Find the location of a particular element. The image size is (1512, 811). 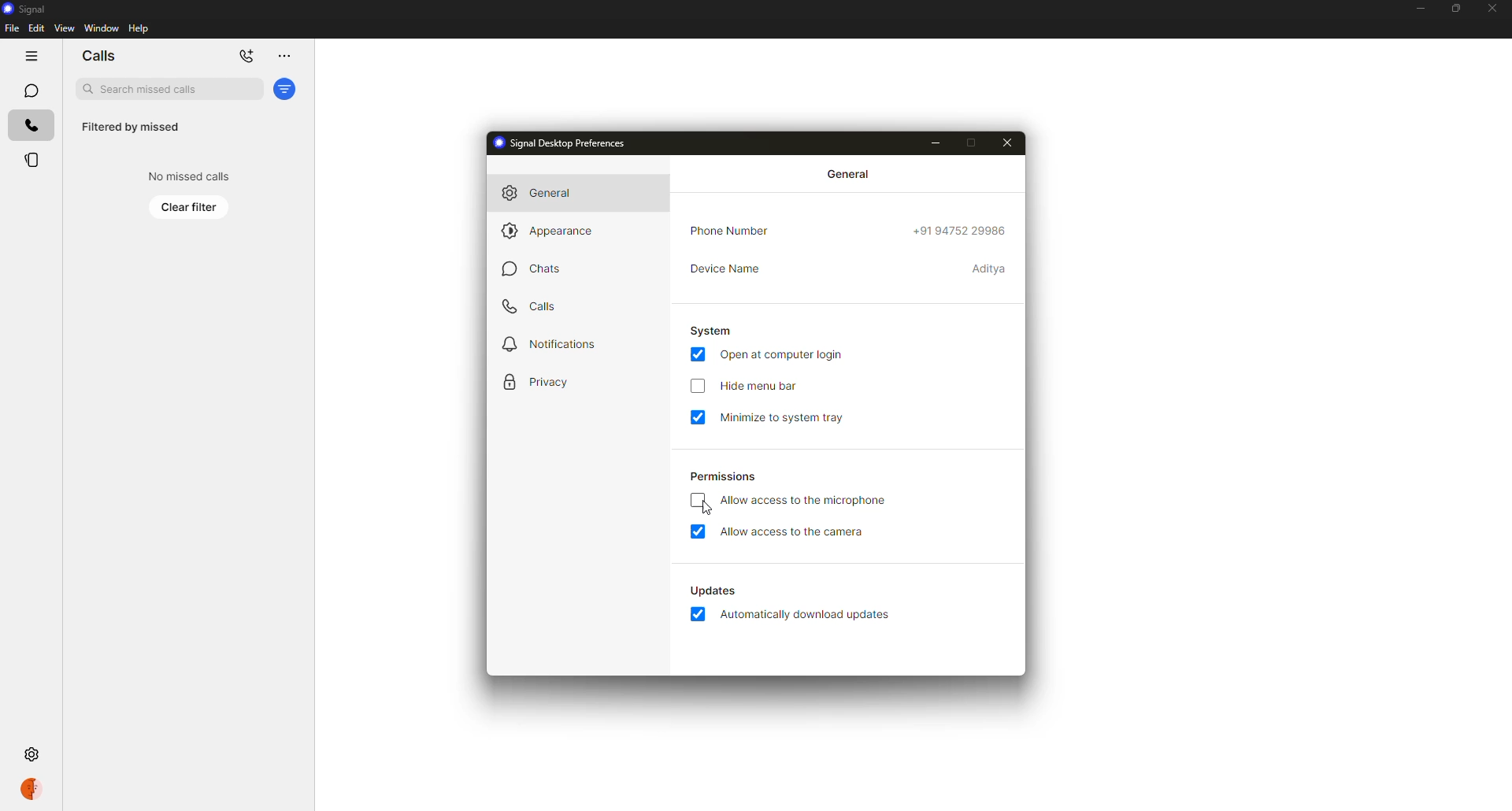

general is located at coordinates (851, 173).